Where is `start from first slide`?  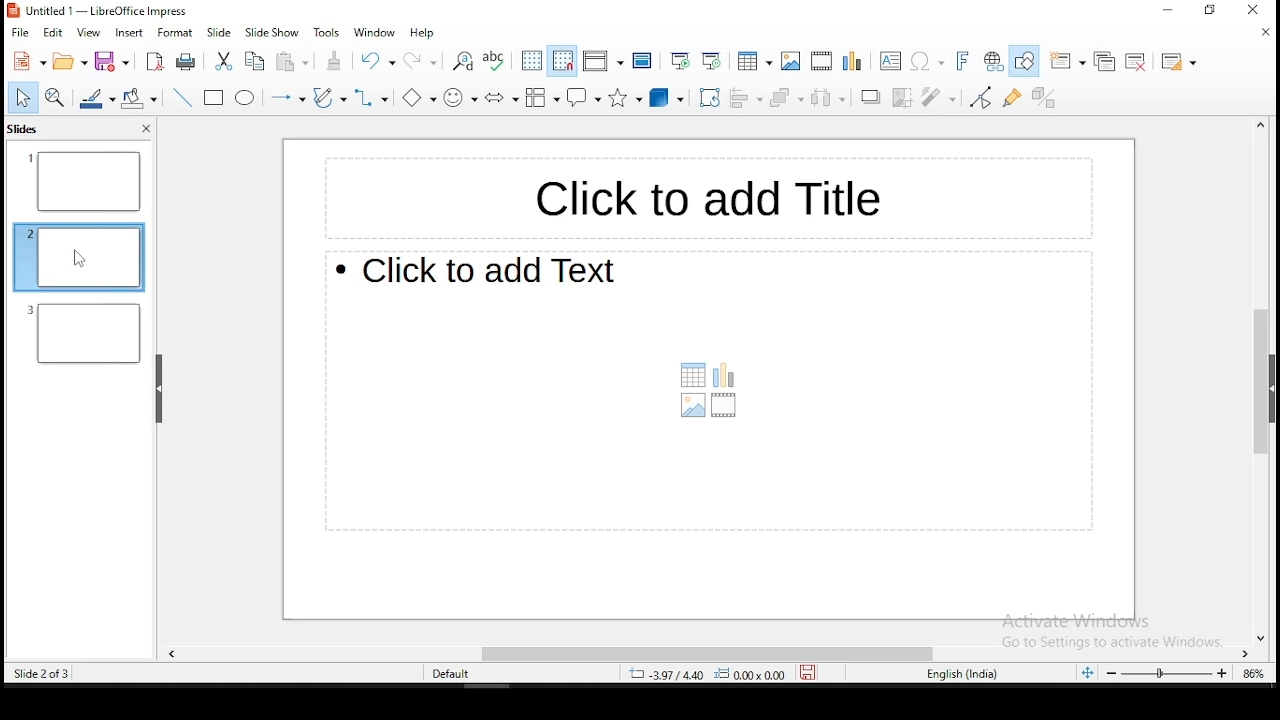
start from first slide is located at coordinates (676, 62).